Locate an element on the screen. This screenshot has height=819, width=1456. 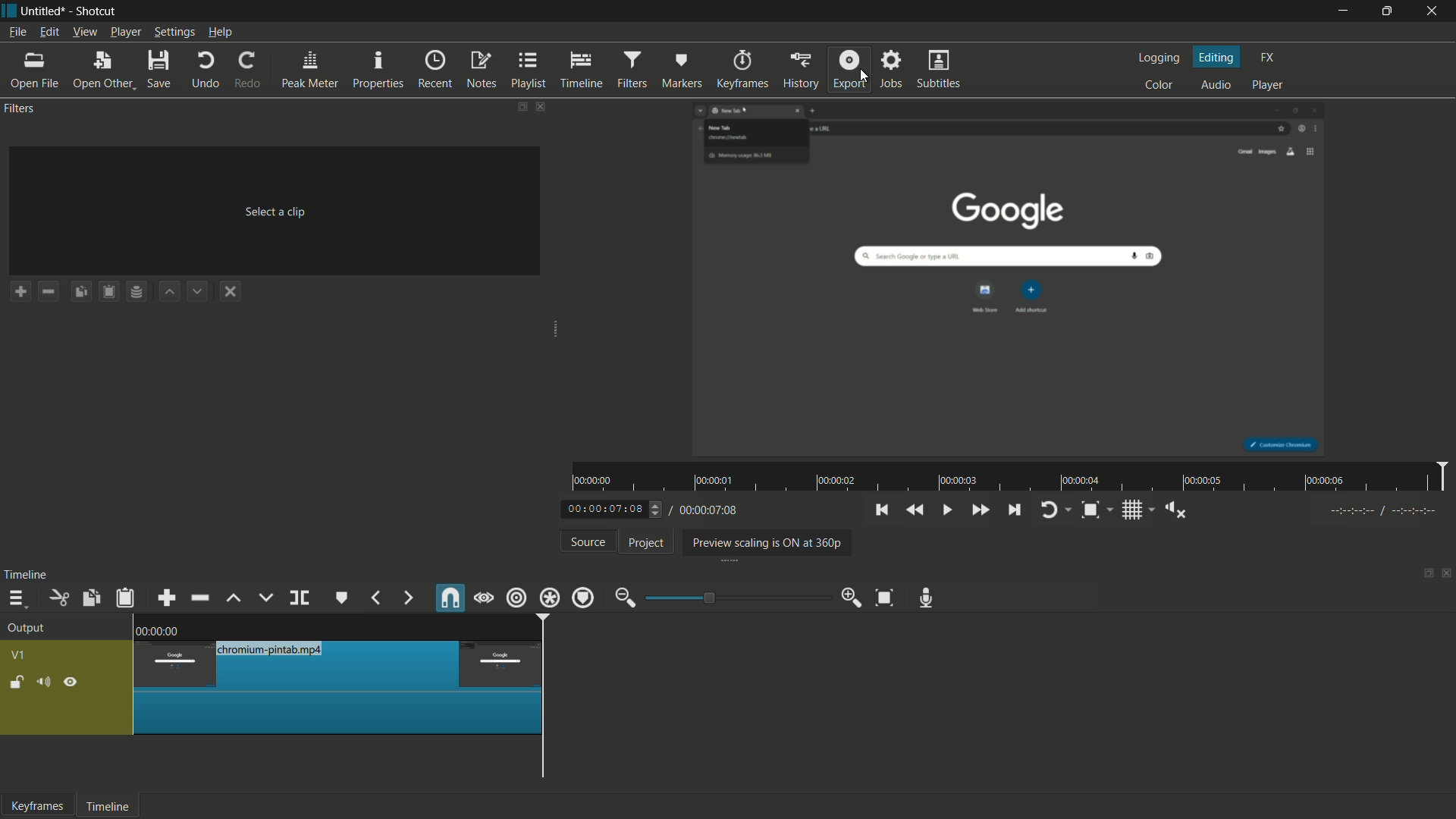
logging is located at coordinates (1157, 59).